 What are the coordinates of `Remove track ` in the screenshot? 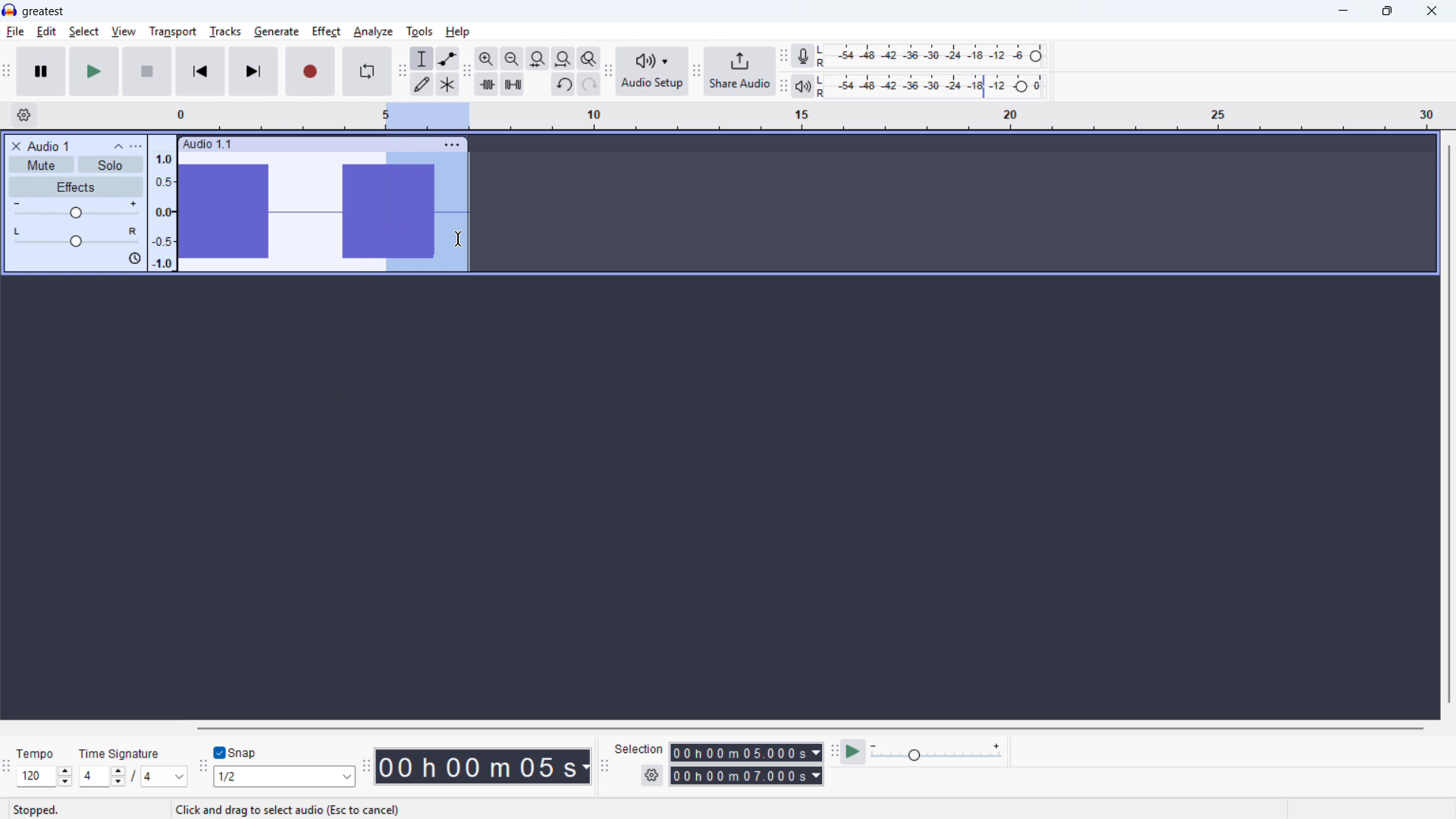 It's located at (17, 146).